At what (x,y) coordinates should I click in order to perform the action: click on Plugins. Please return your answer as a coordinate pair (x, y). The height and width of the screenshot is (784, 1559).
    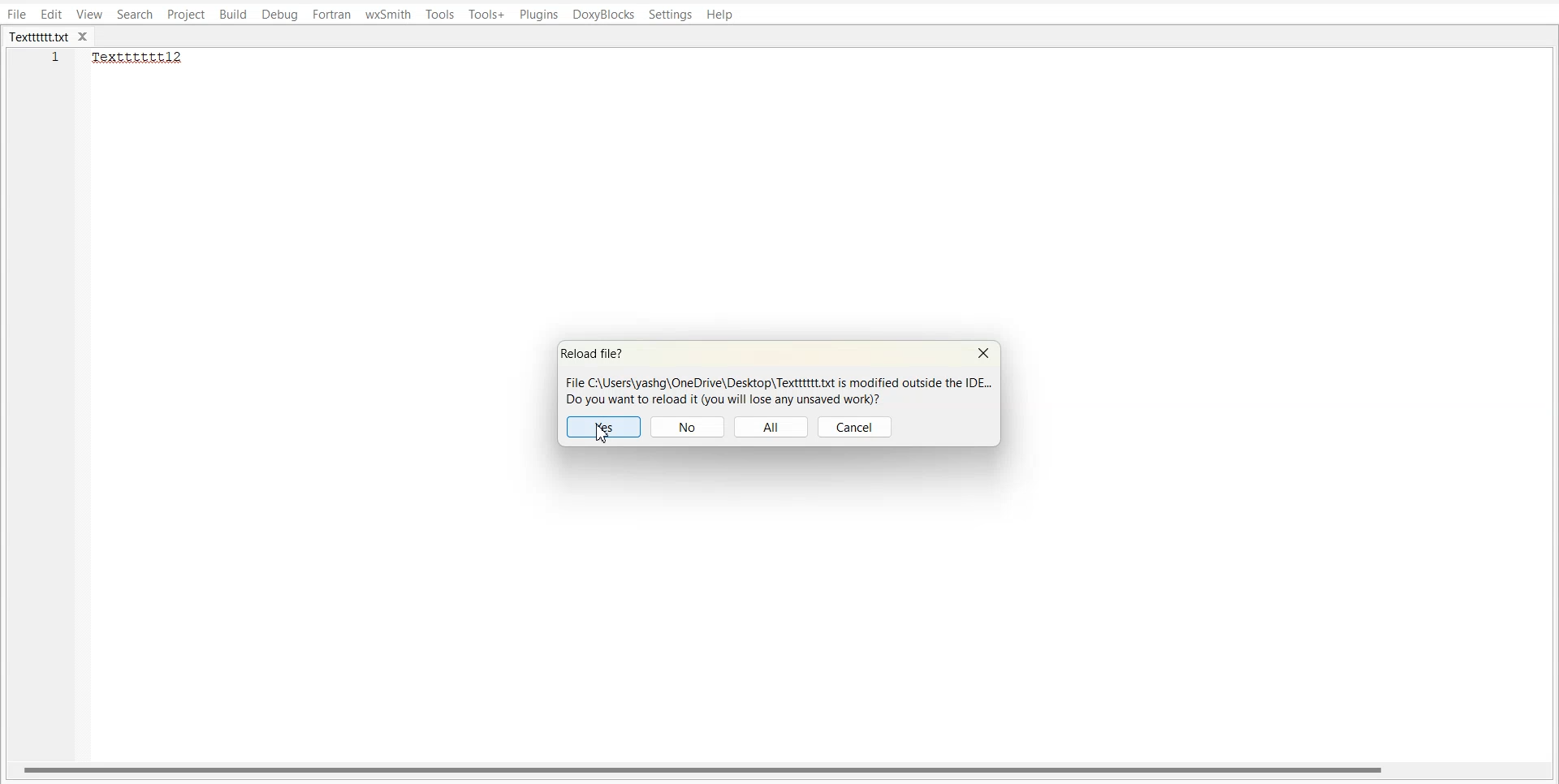
    Looking at the image, I should click on (540, 15).